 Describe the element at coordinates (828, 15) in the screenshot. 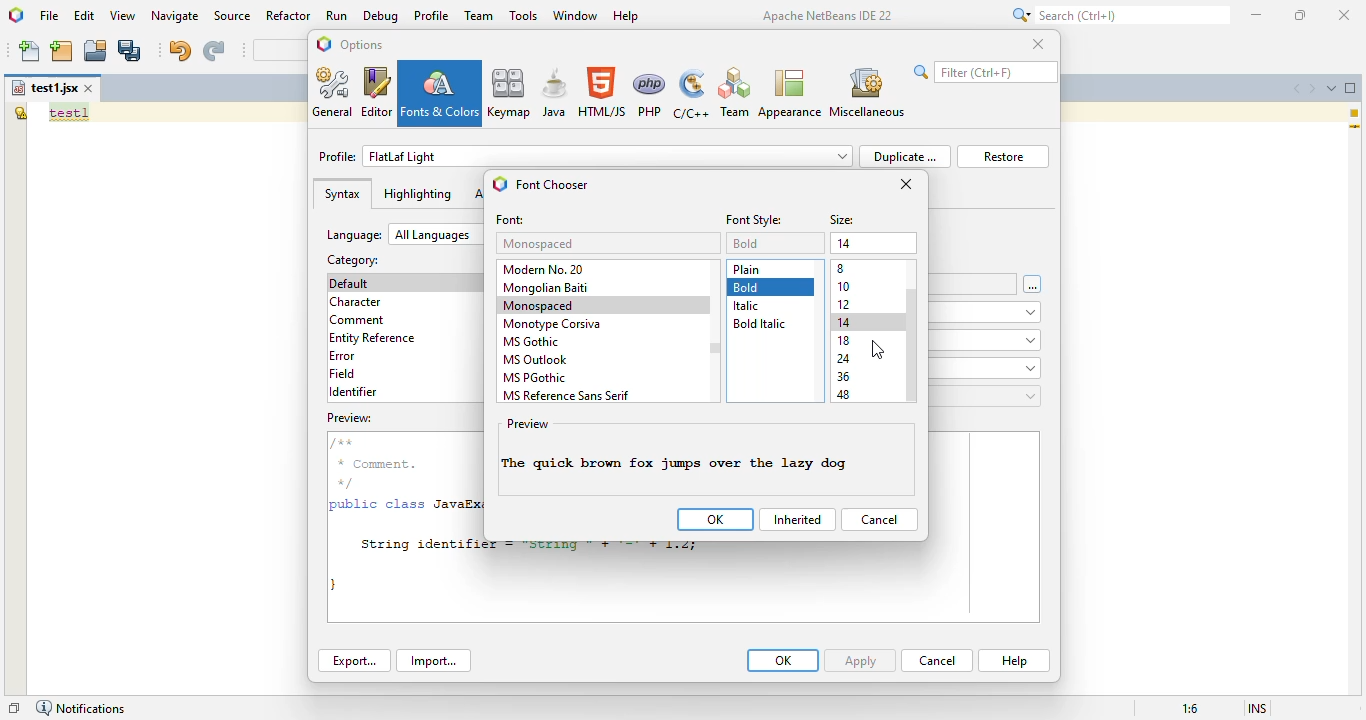

I see `Apache NetBeans IDE 22` at that location.